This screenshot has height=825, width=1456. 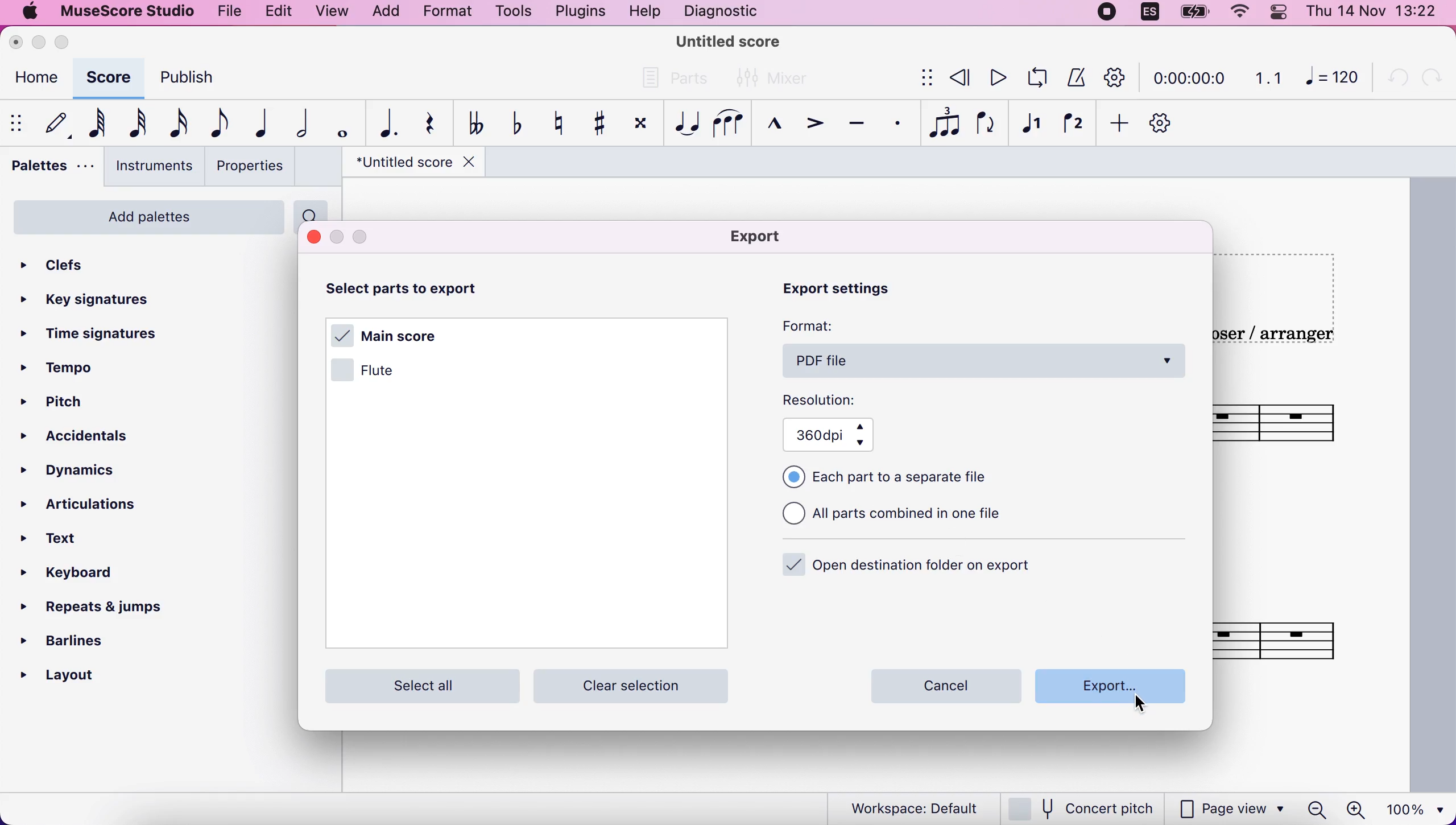 What do you see at coordinates (1145, 13) in the screenshot?
I see `language` at bounding box center [1145, 13].